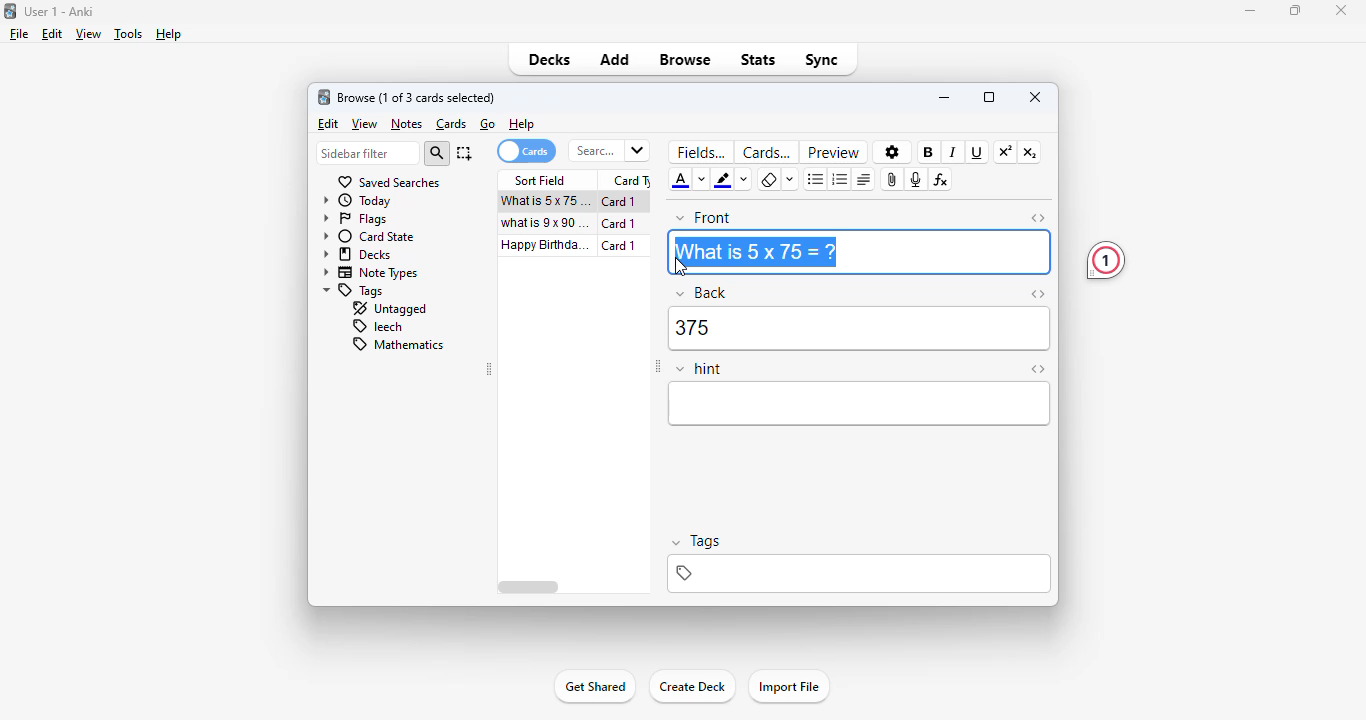 Image resolution: width=1366 pixels, height=720 pixels. What do you see at coordinates (942, 179) in the screenshot?
I see `equations` at bounding box center [942, 179].